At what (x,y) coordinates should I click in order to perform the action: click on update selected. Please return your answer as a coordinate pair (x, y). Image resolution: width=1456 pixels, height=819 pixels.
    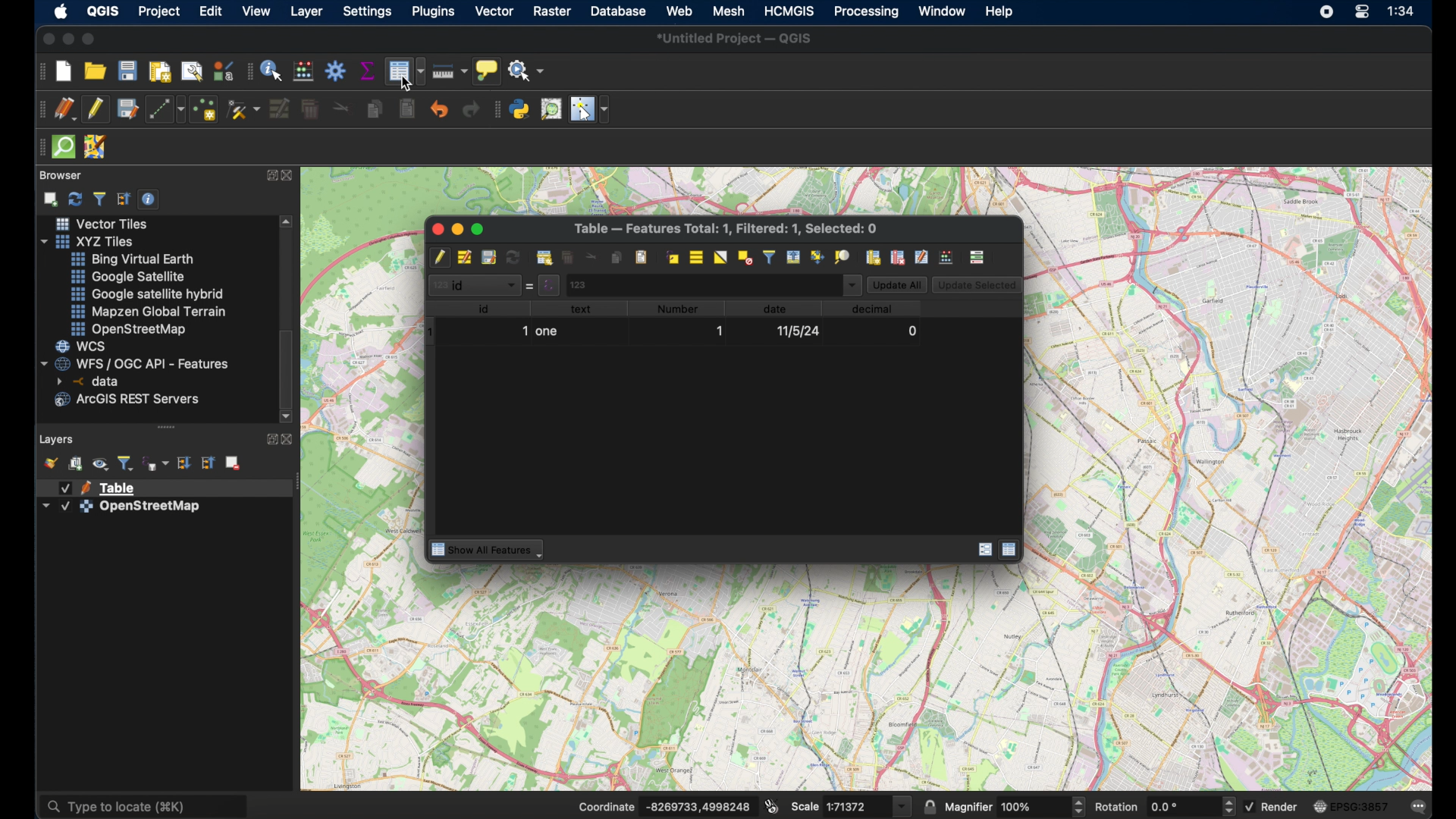
    Looking at the image, I should click on (975, 284).